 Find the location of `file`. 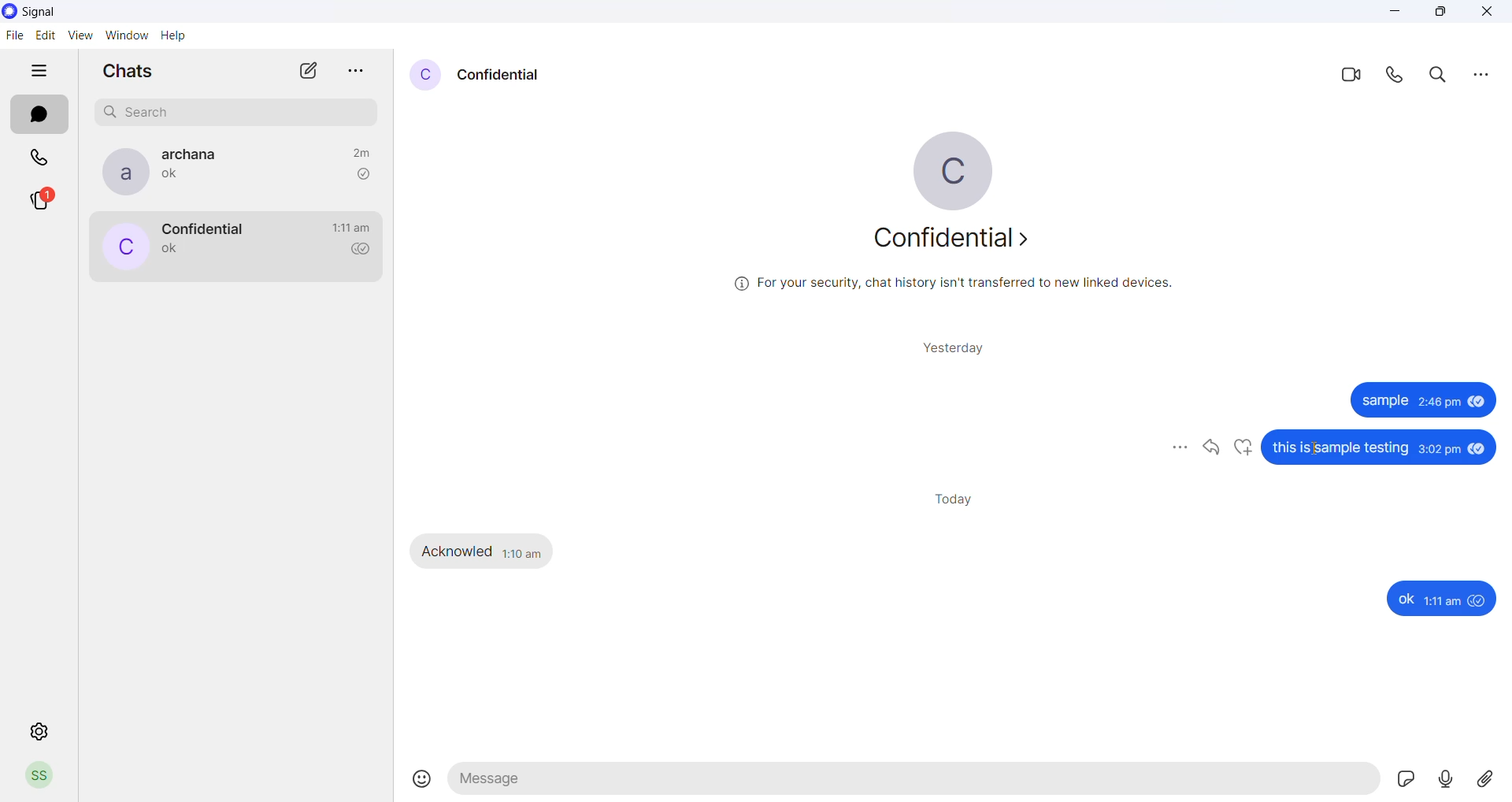

file is located at coordinates (13, 37).